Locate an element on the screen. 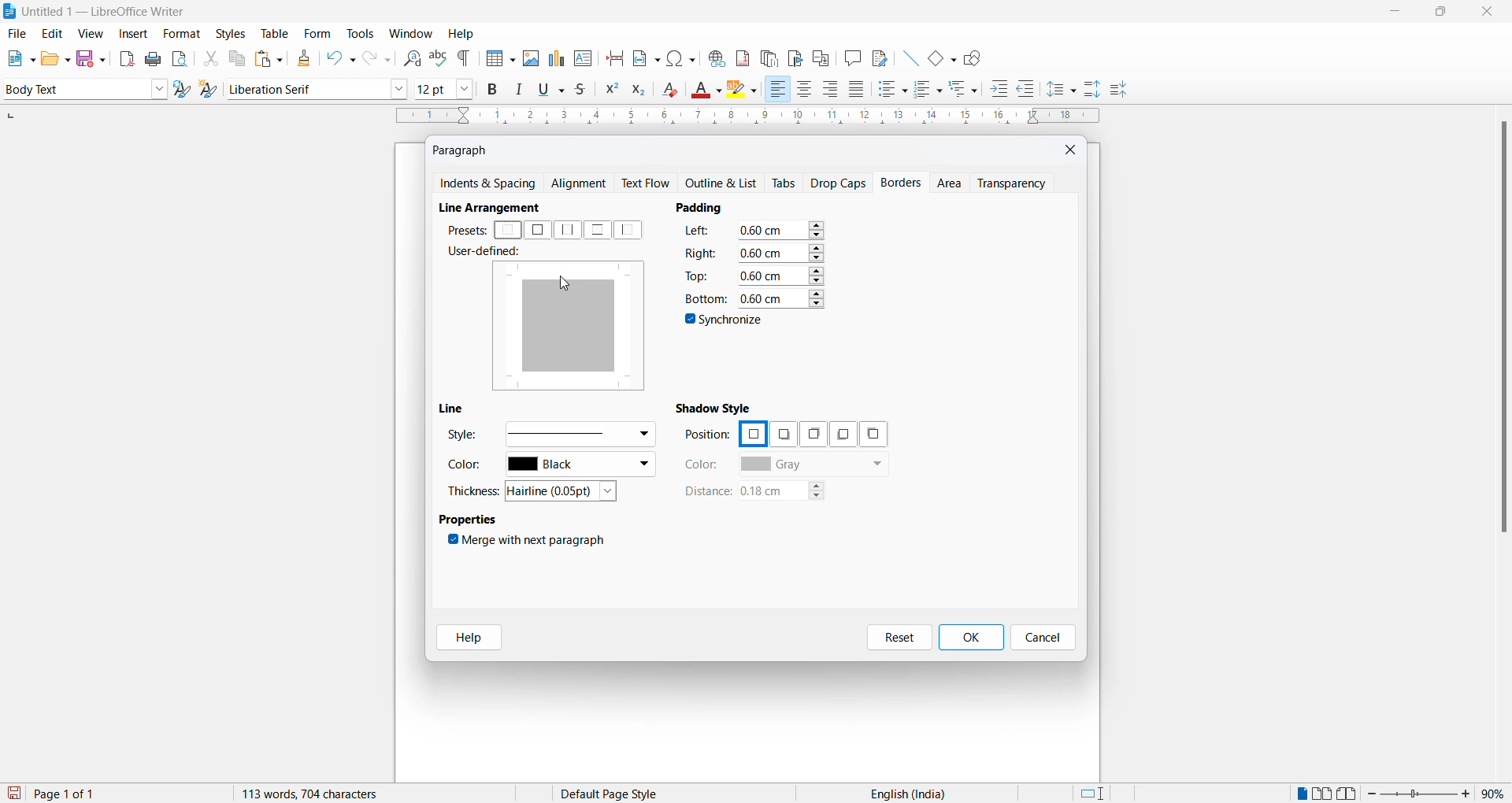  toggle ordered list is located at coordinates (929, 90).